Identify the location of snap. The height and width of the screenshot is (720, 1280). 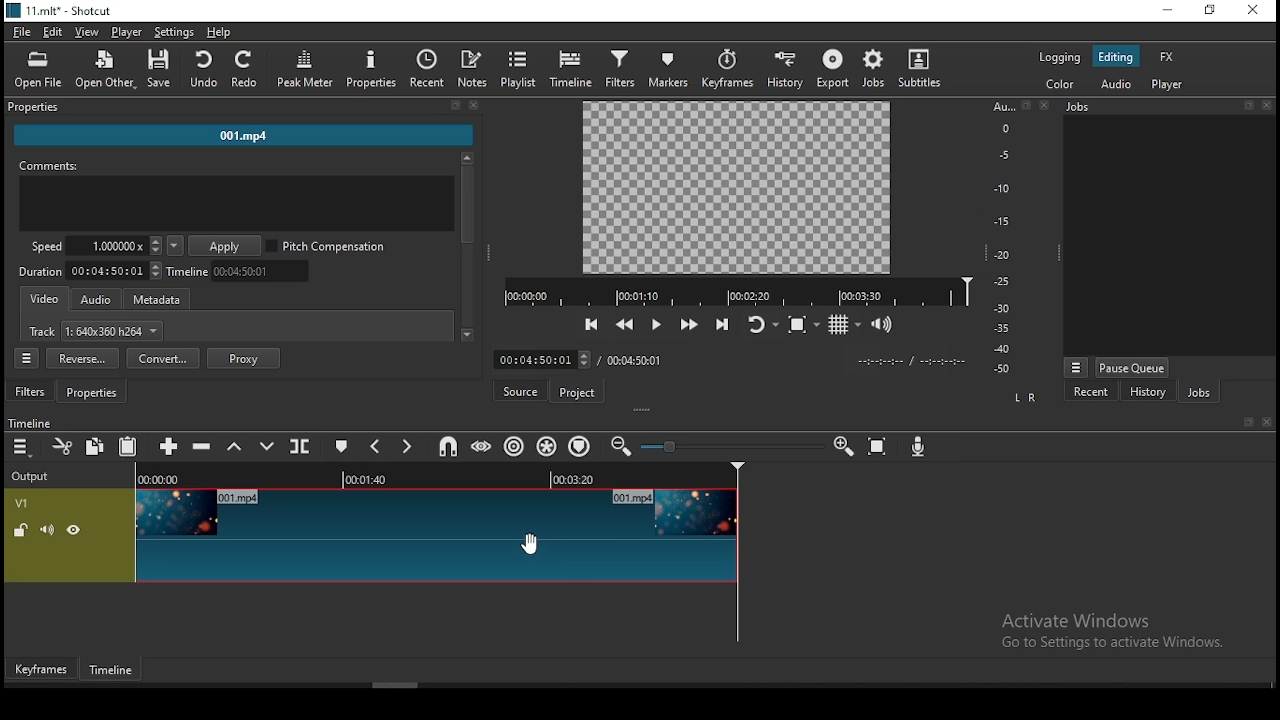
(443, 447).